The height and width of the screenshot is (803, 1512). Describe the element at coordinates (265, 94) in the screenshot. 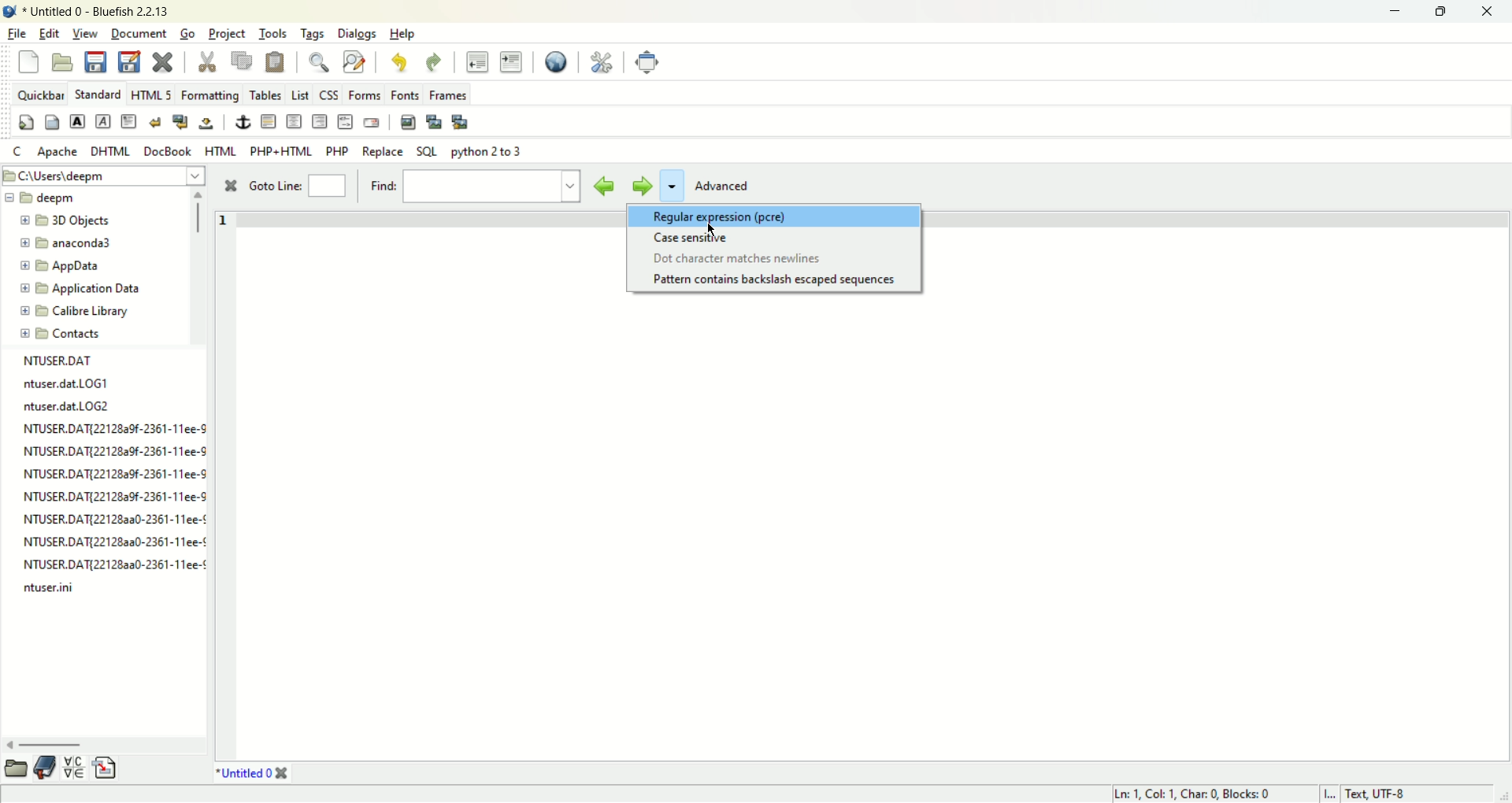

I see `tables` at that location.